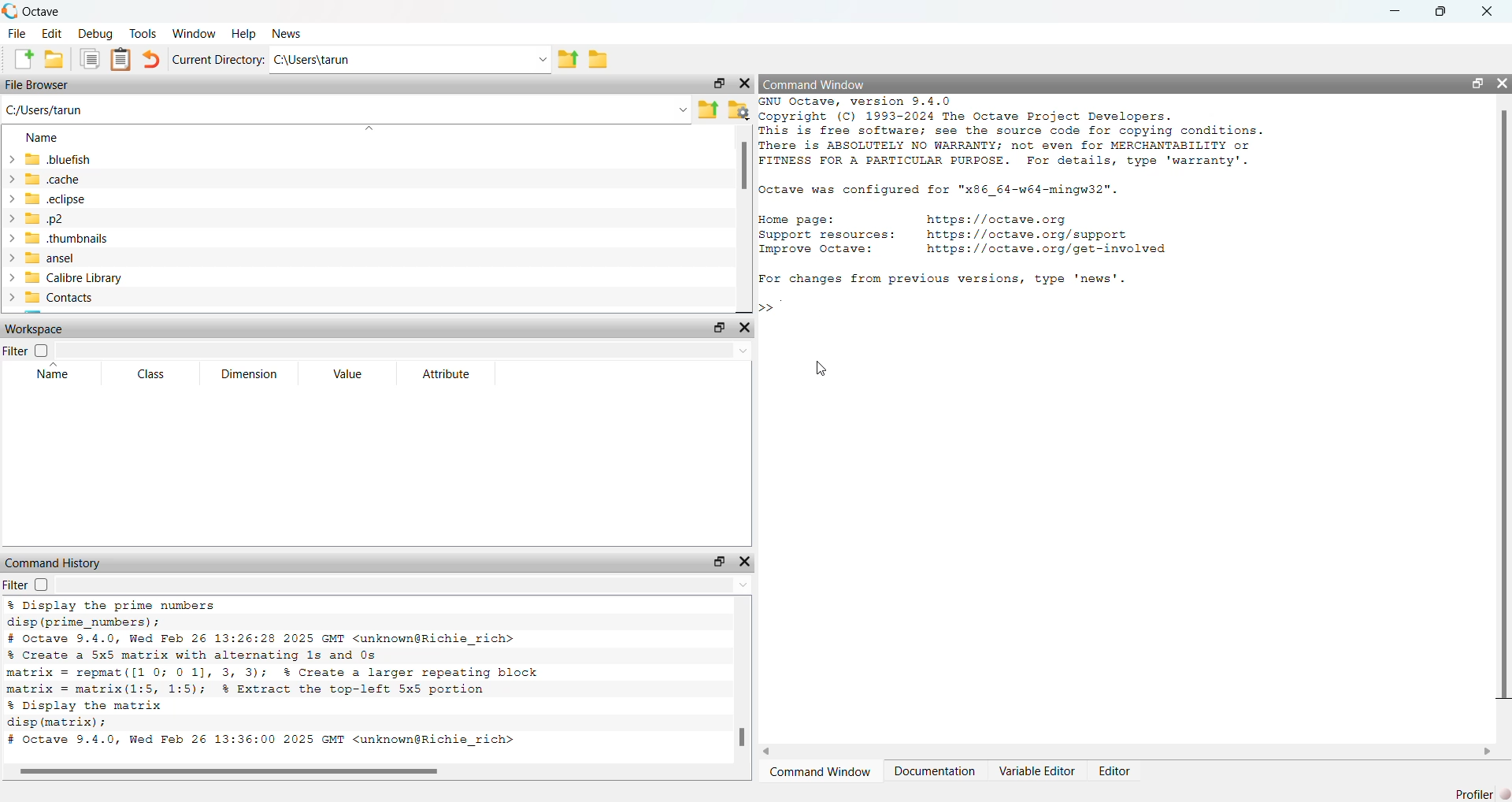 This screenshot has width=1512, height=802. What do you see at coordinates (820, 371) in the screenshot?
I see `cursor` at bounding box center [820, 371].